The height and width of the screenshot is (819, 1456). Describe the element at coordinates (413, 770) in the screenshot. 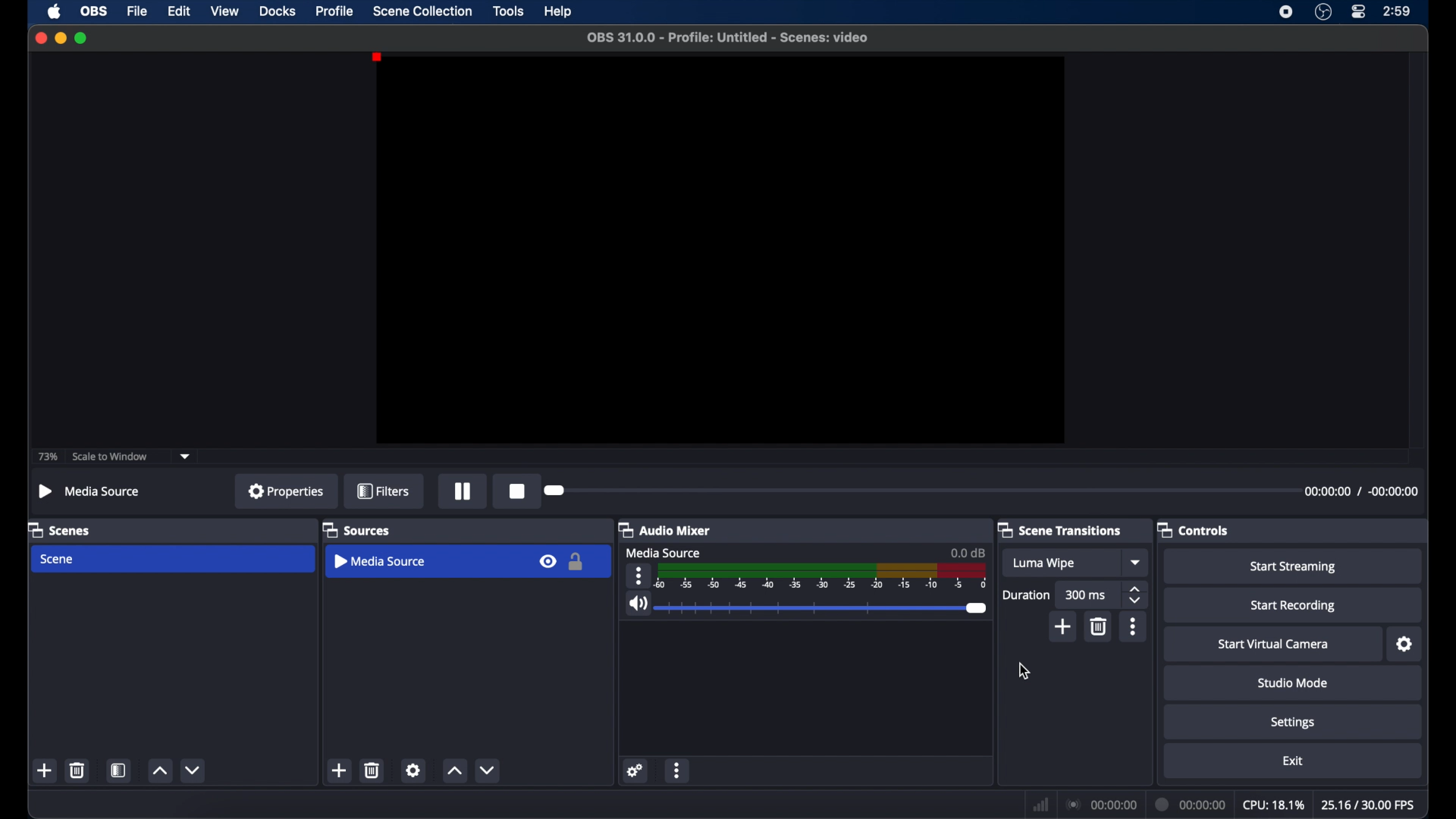

I see `settings` at that location.